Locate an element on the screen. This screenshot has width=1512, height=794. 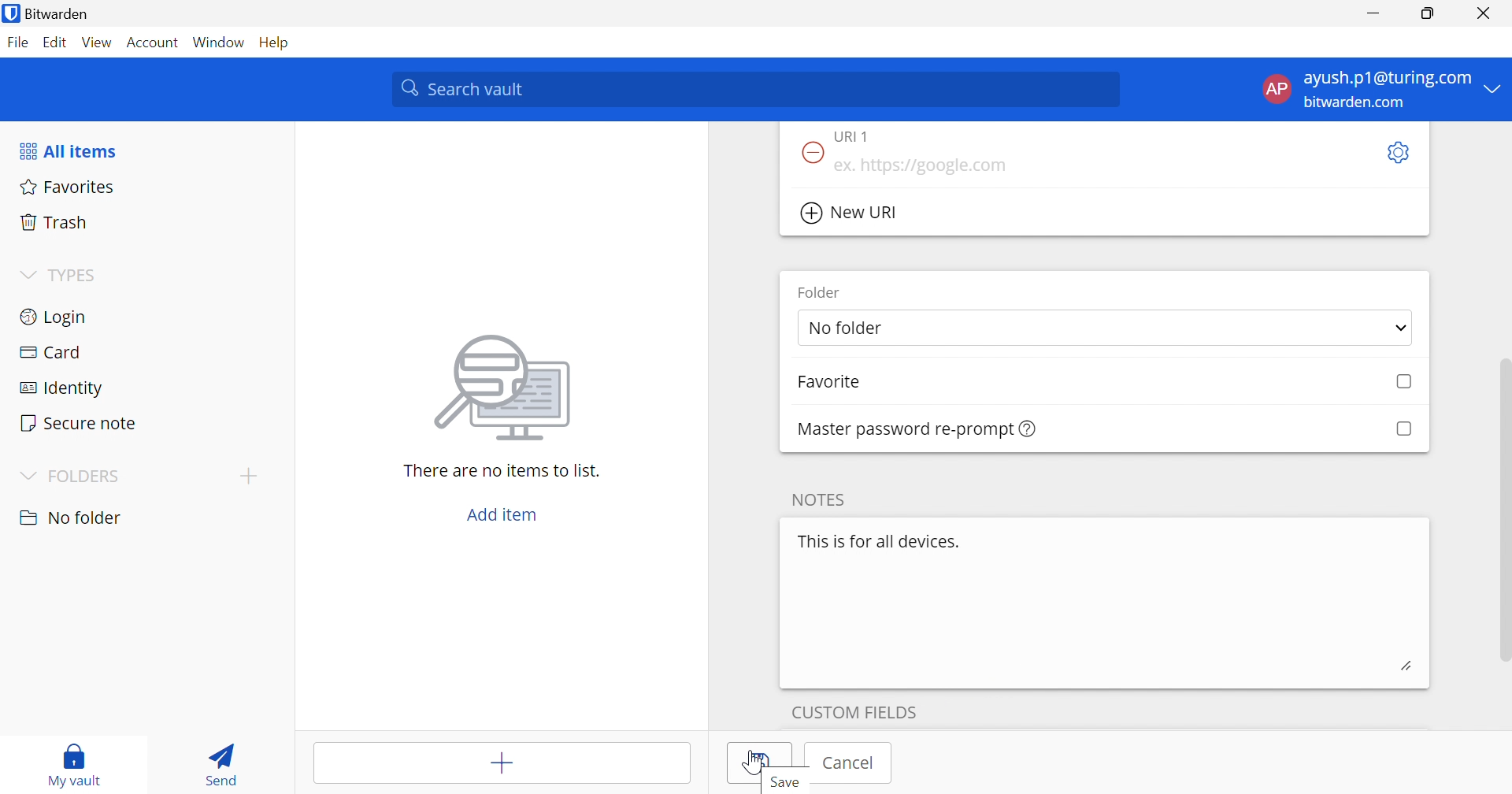
Master password re-prompt is located at coordinates (918, 429).